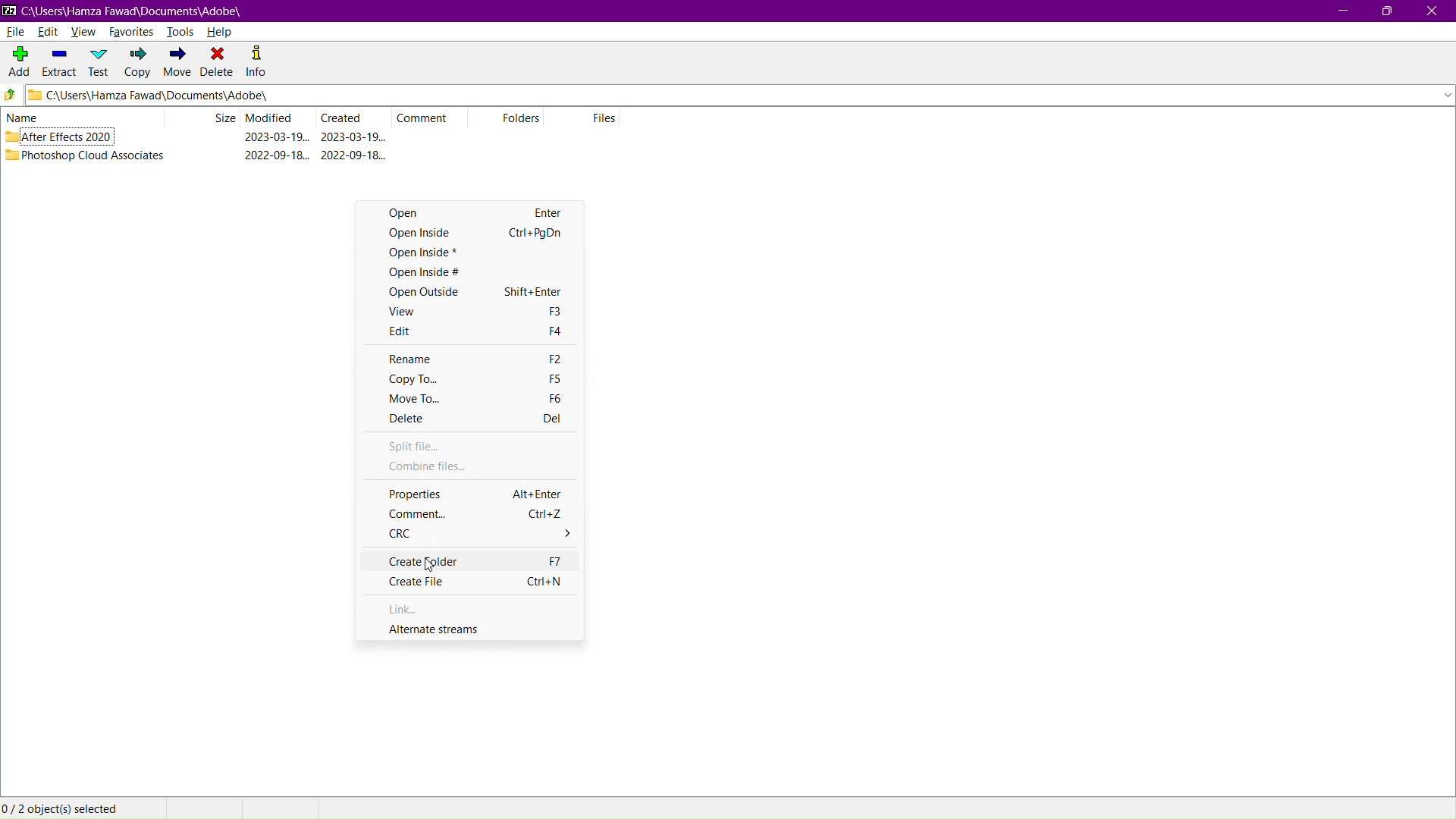  Describe the element at coordinates (470, 513) in the screenshot. I see `Comment` at that location.